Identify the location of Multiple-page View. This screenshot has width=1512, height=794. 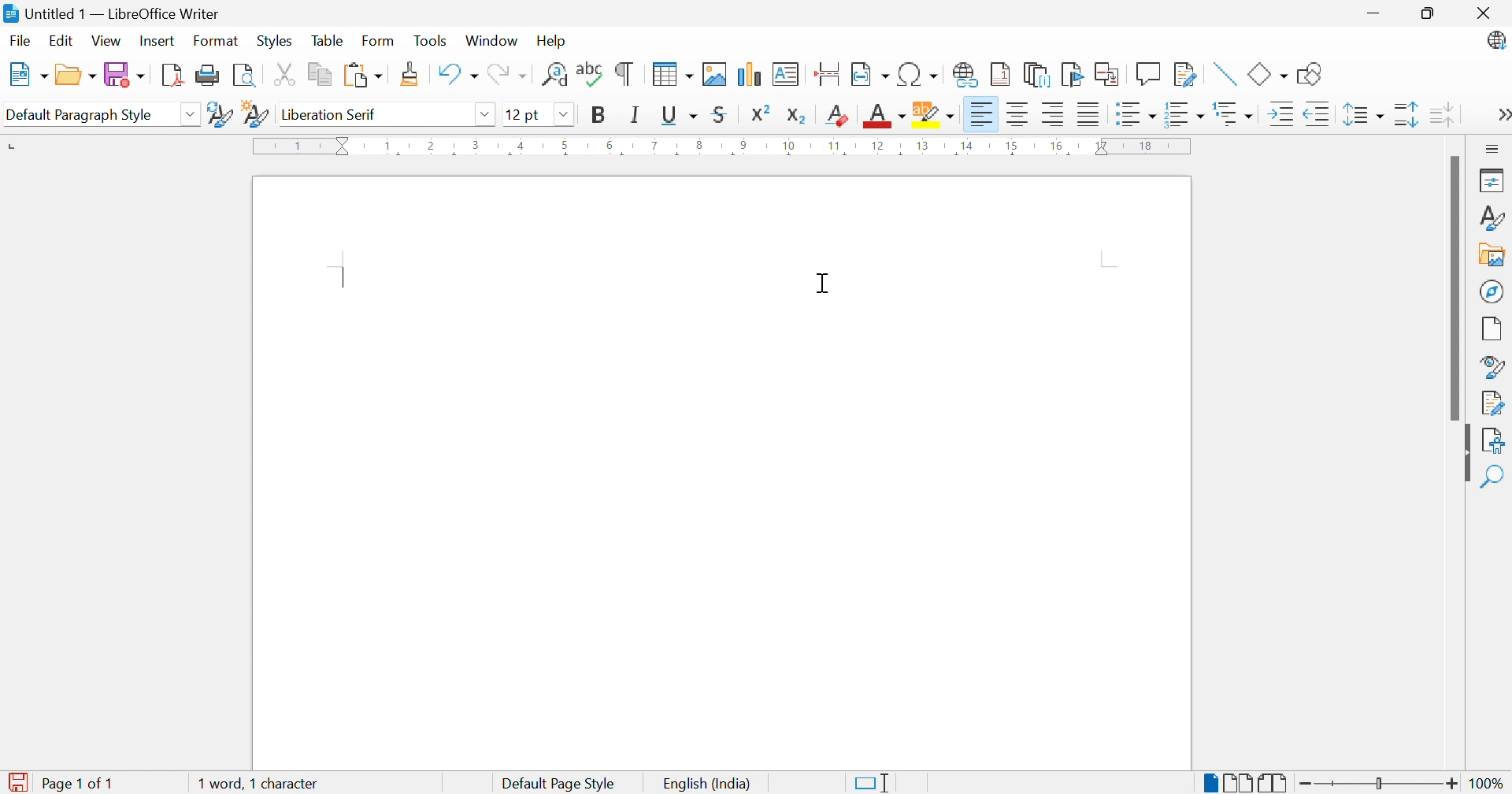
(1240, 781).